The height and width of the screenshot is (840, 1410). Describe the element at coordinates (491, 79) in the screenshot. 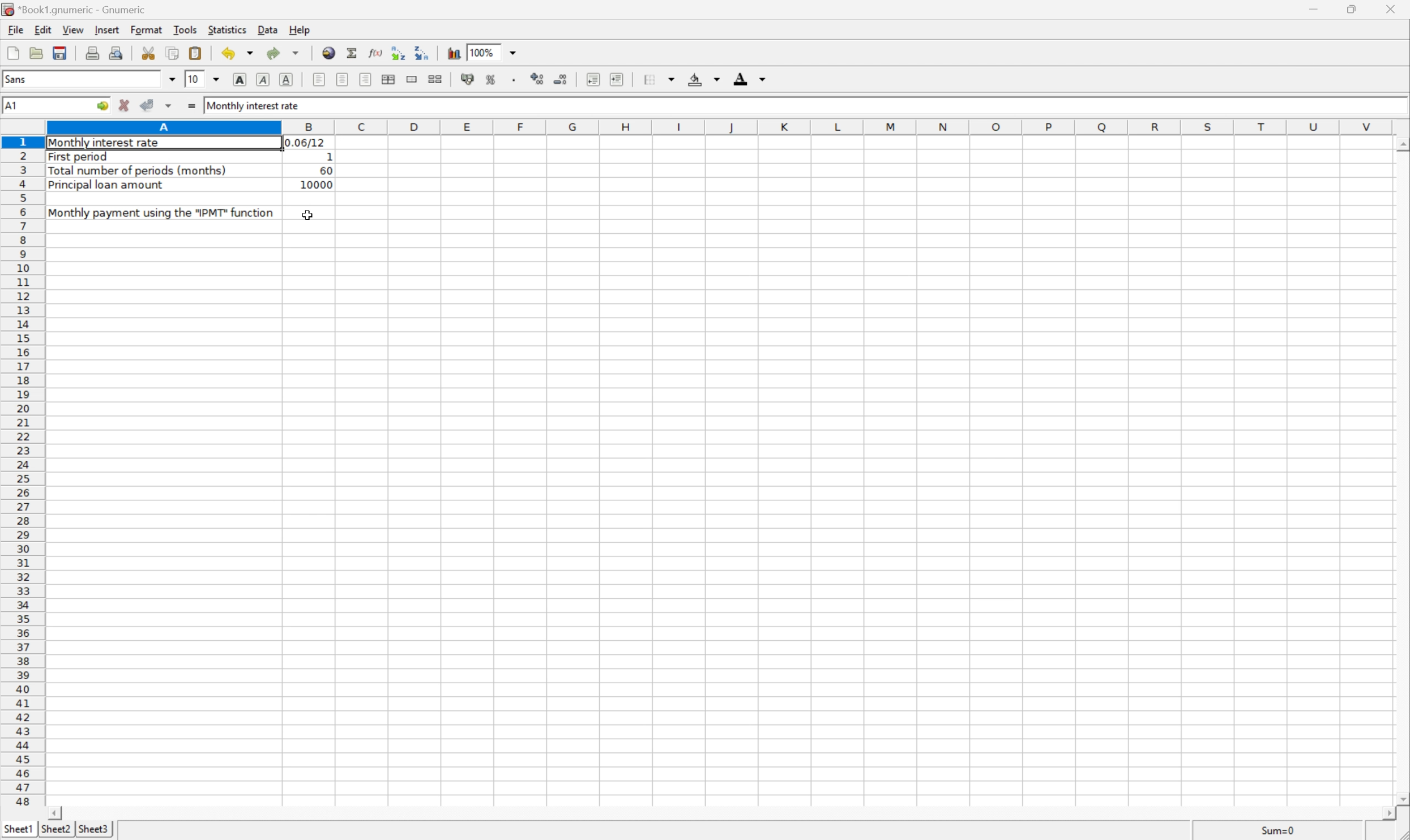

I see `Format the selection as percentage` at that location.